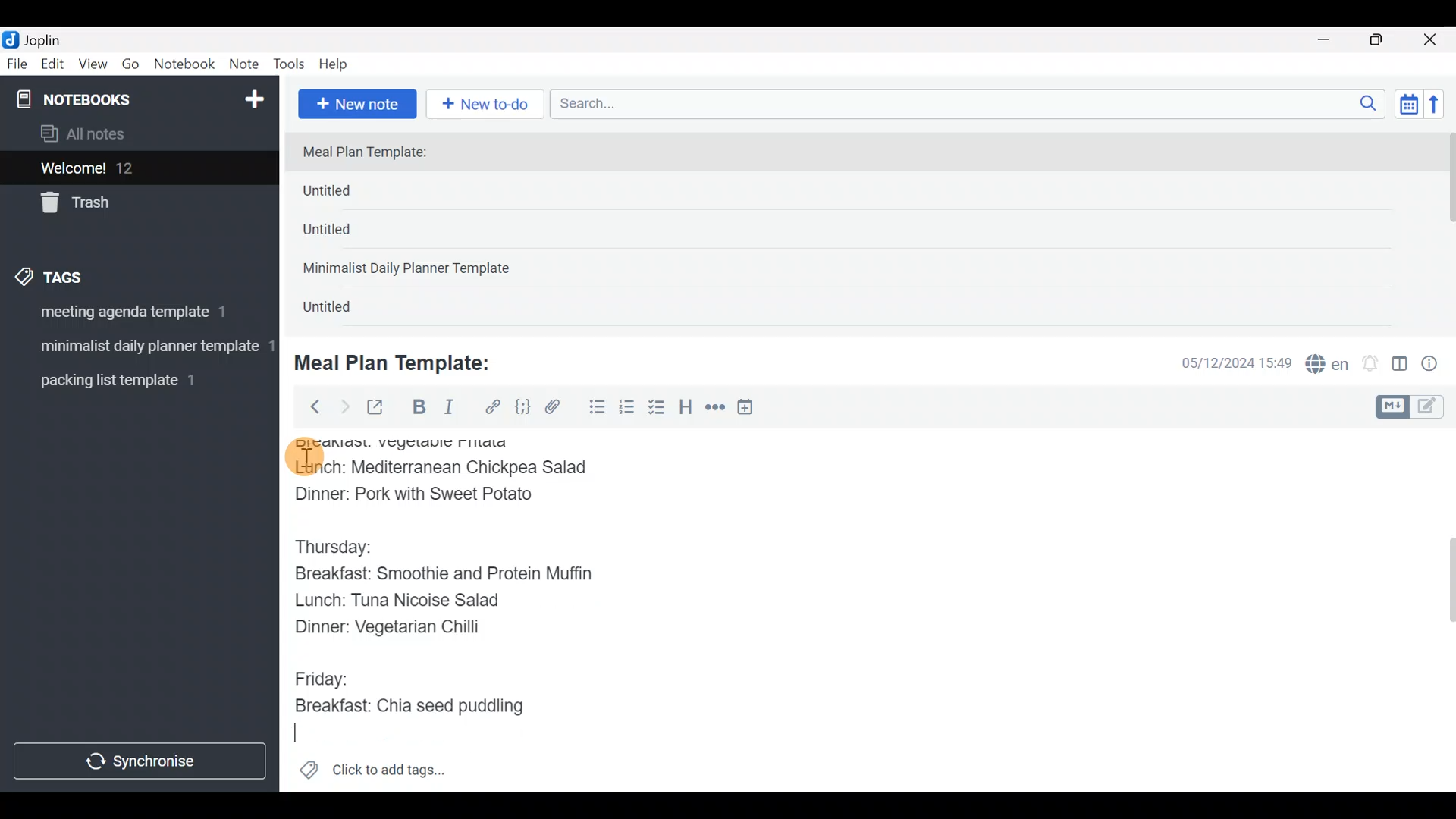 This screenshot has width=1456, height=819. Describe the element at coordinates (107, 99) in the screenshot. I see `Notebooks` at that location.